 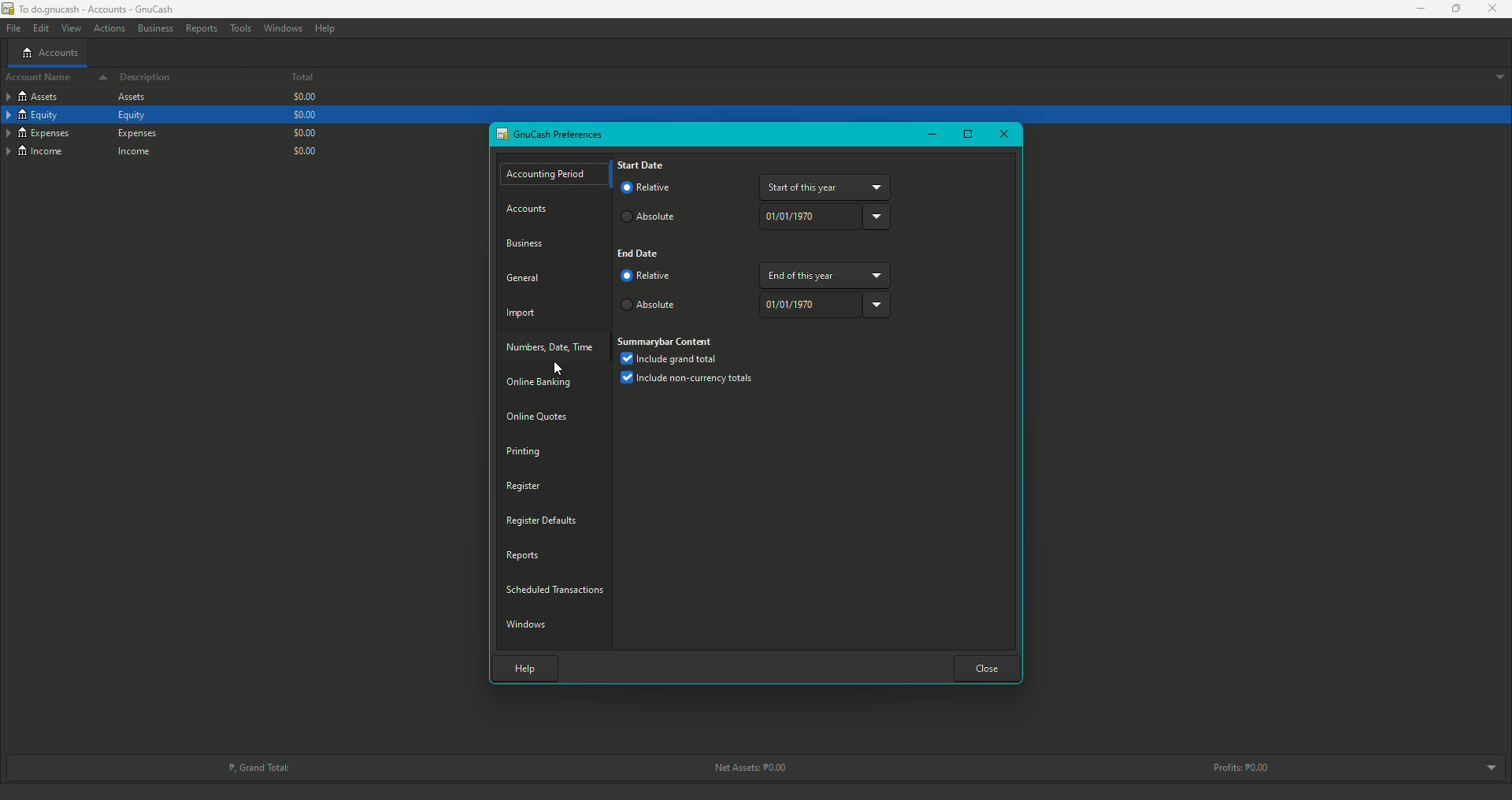 I want to click on Reports, so click(x=201, y=28).